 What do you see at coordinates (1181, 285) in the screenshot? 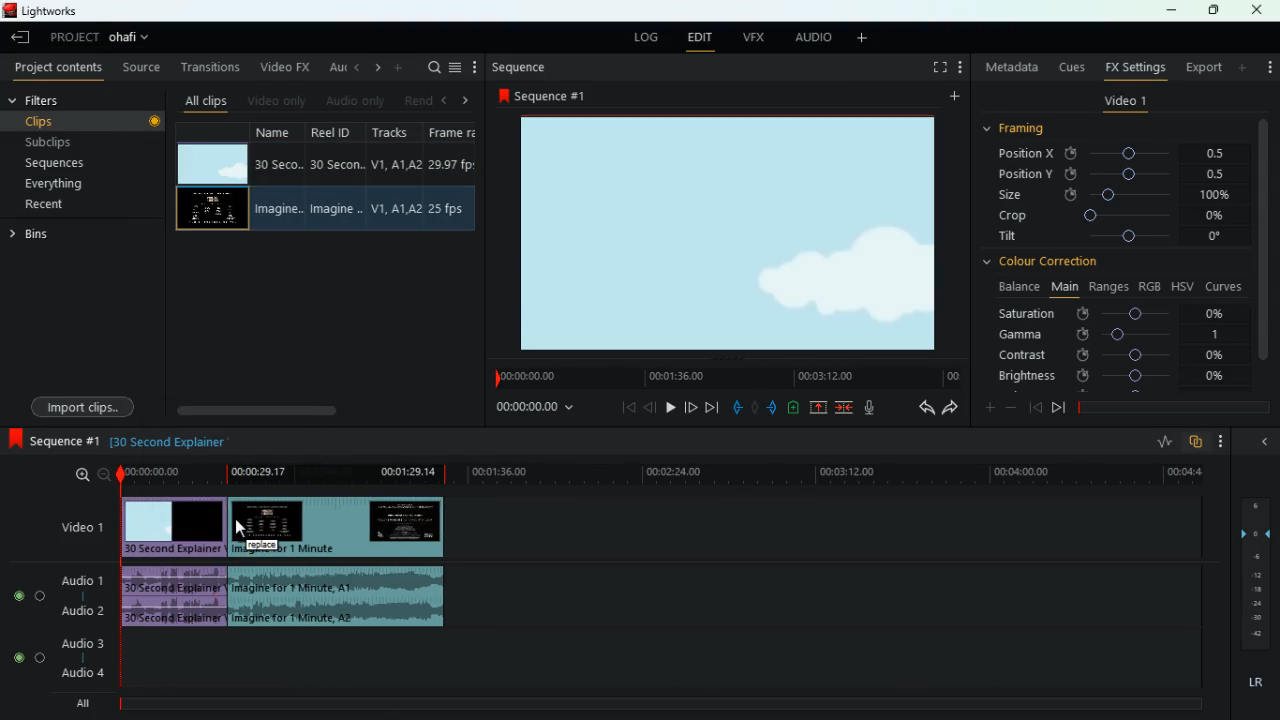
I see `hsv` at bounding box center [1181, 285].